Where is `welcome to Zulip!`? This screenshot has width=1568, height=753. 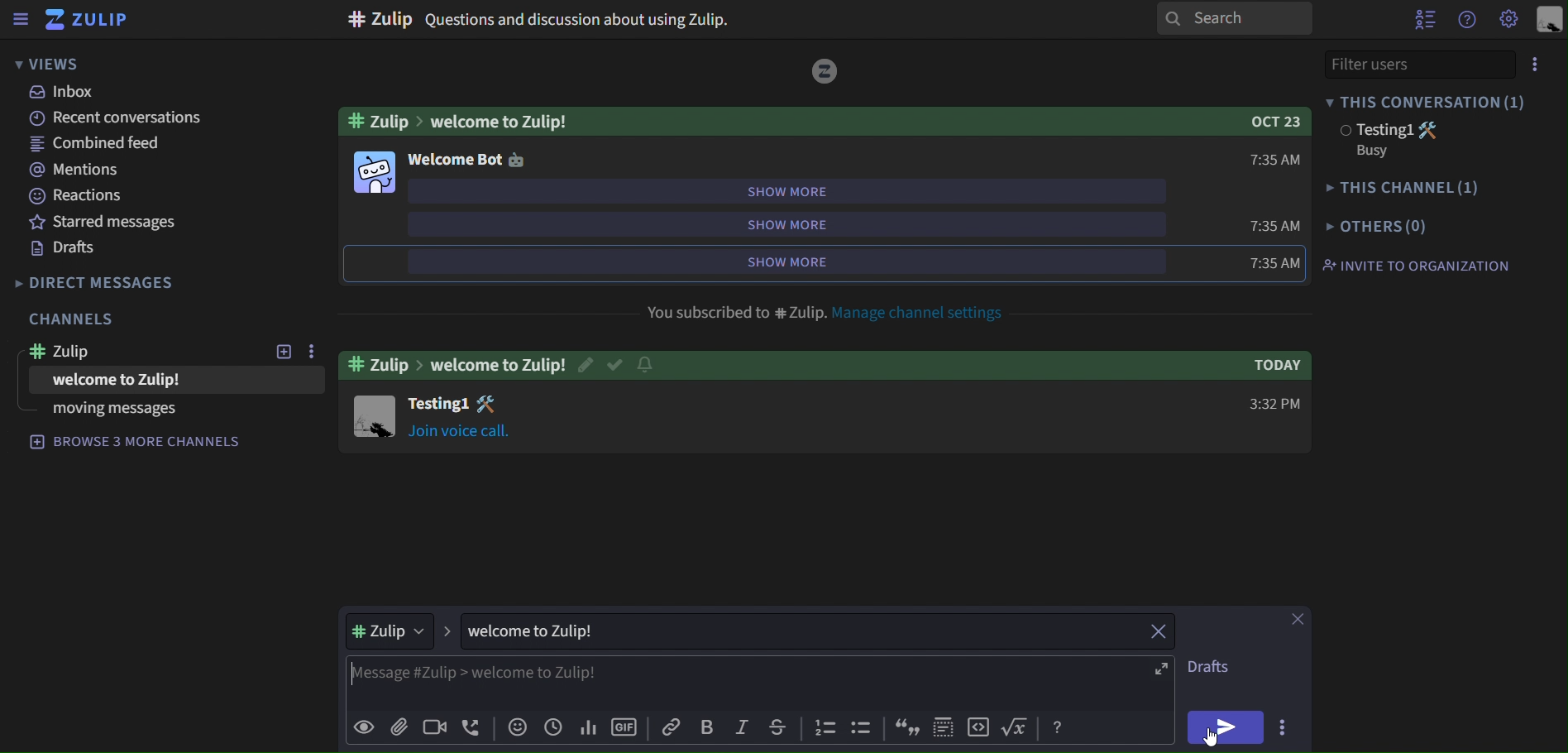
welcome to Zulip! is located at coordinates (138, 381).